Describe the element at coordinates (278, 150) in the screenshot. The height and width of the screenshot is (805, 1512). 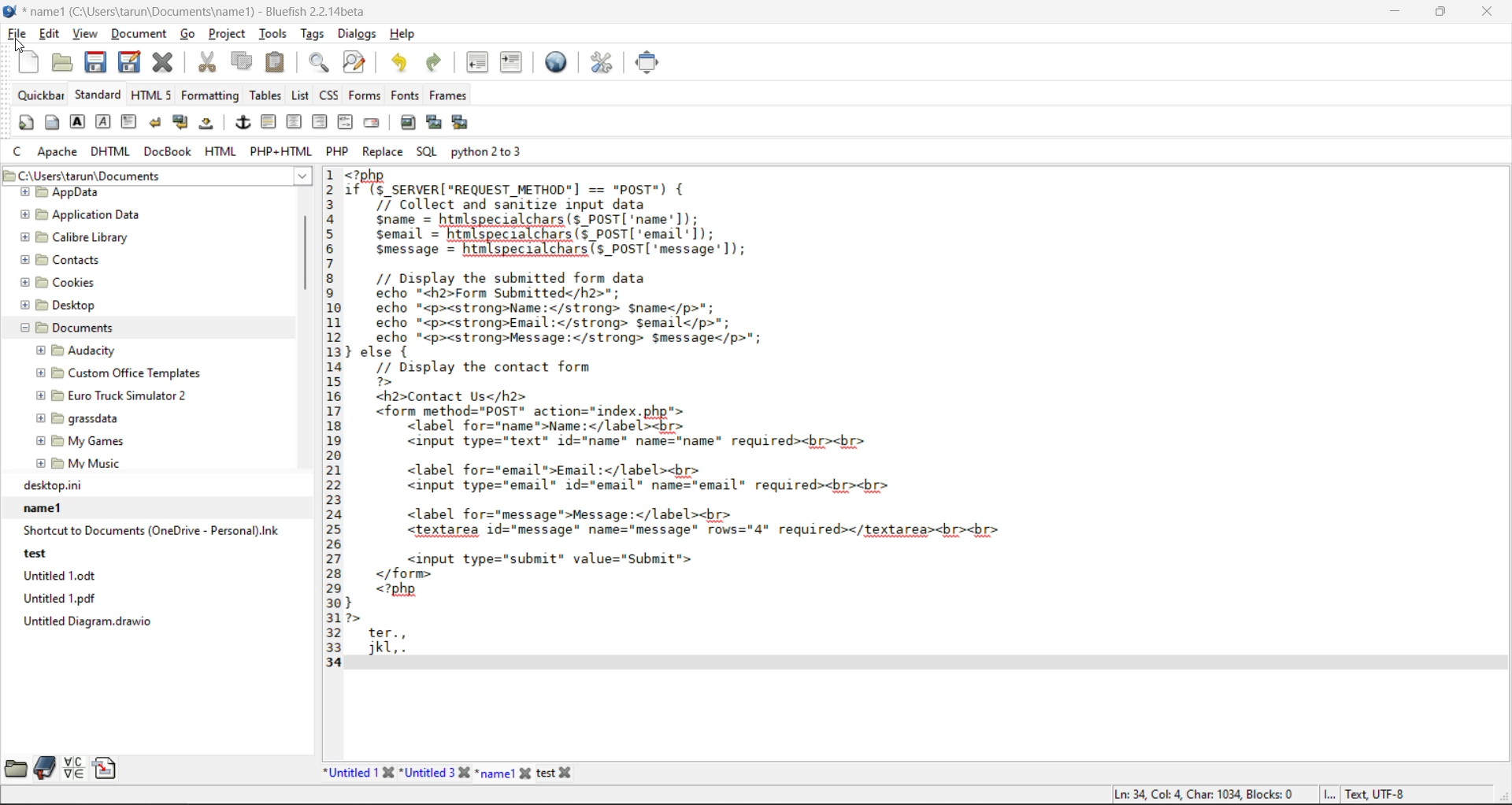
I see `php html` at that location.